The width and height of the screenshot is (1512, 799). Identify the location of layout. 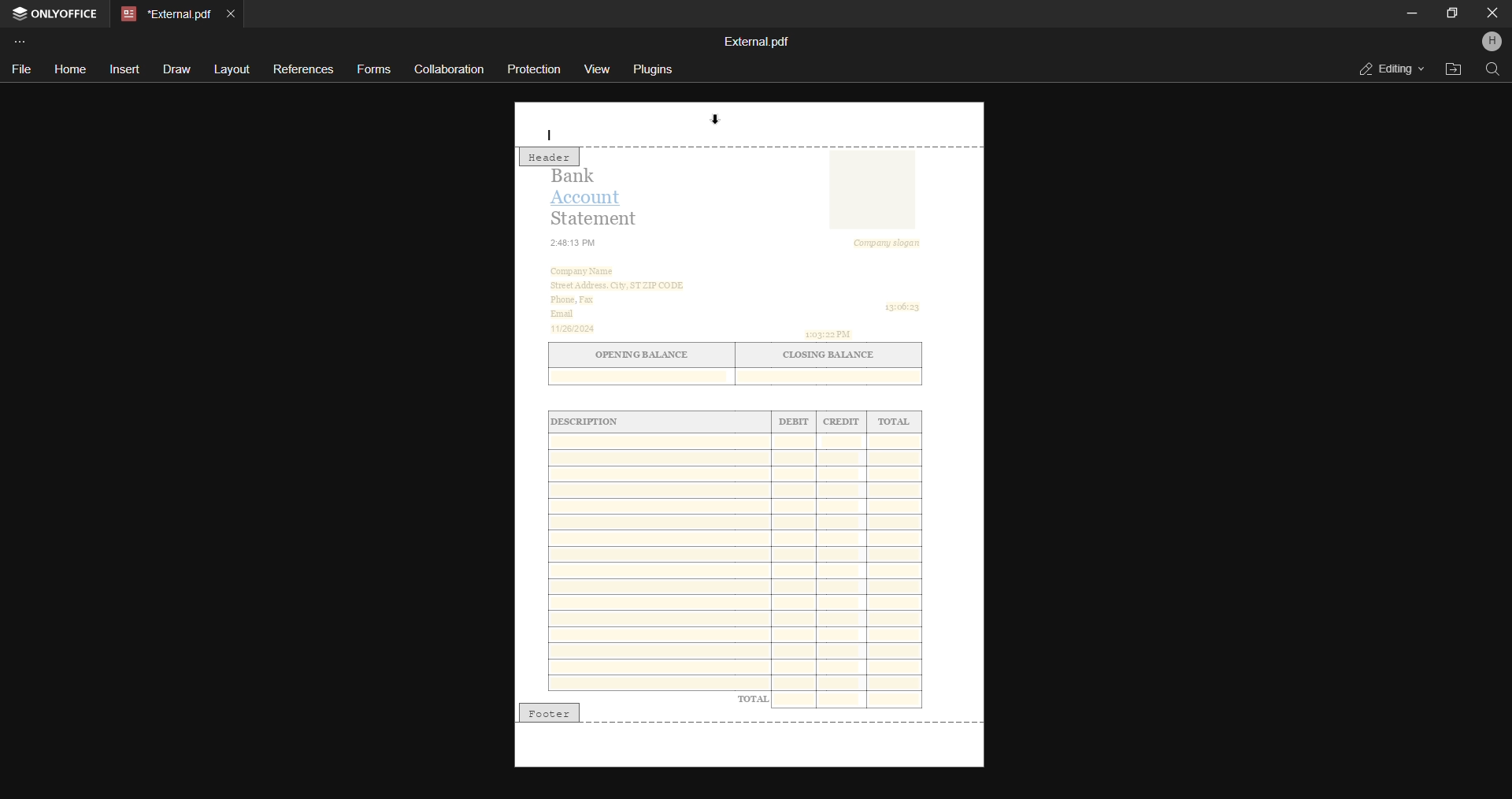
(231, 70).